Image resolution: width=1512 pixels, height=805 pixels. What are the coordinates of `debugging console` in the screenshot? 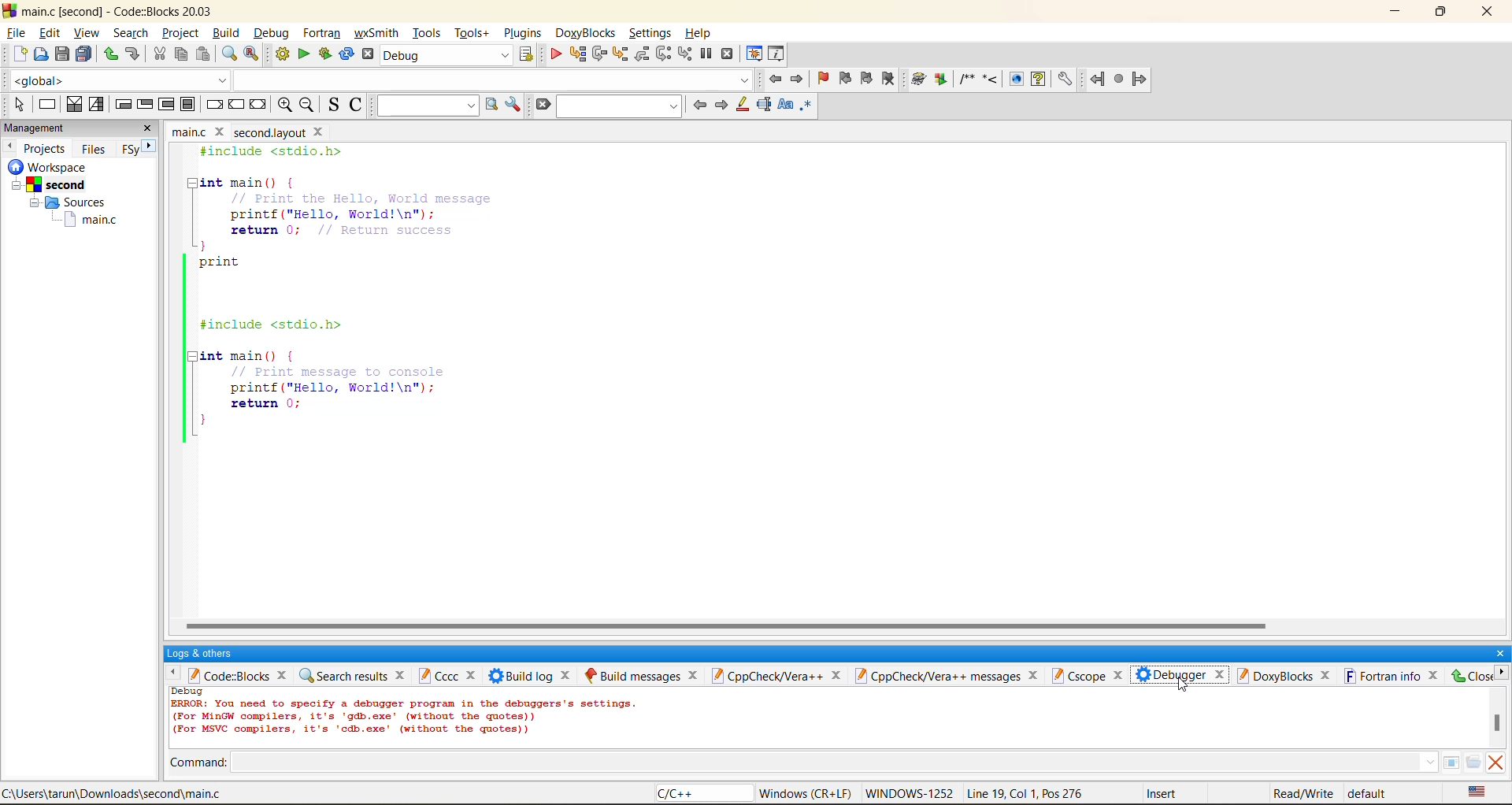 It's located at (410, 716).